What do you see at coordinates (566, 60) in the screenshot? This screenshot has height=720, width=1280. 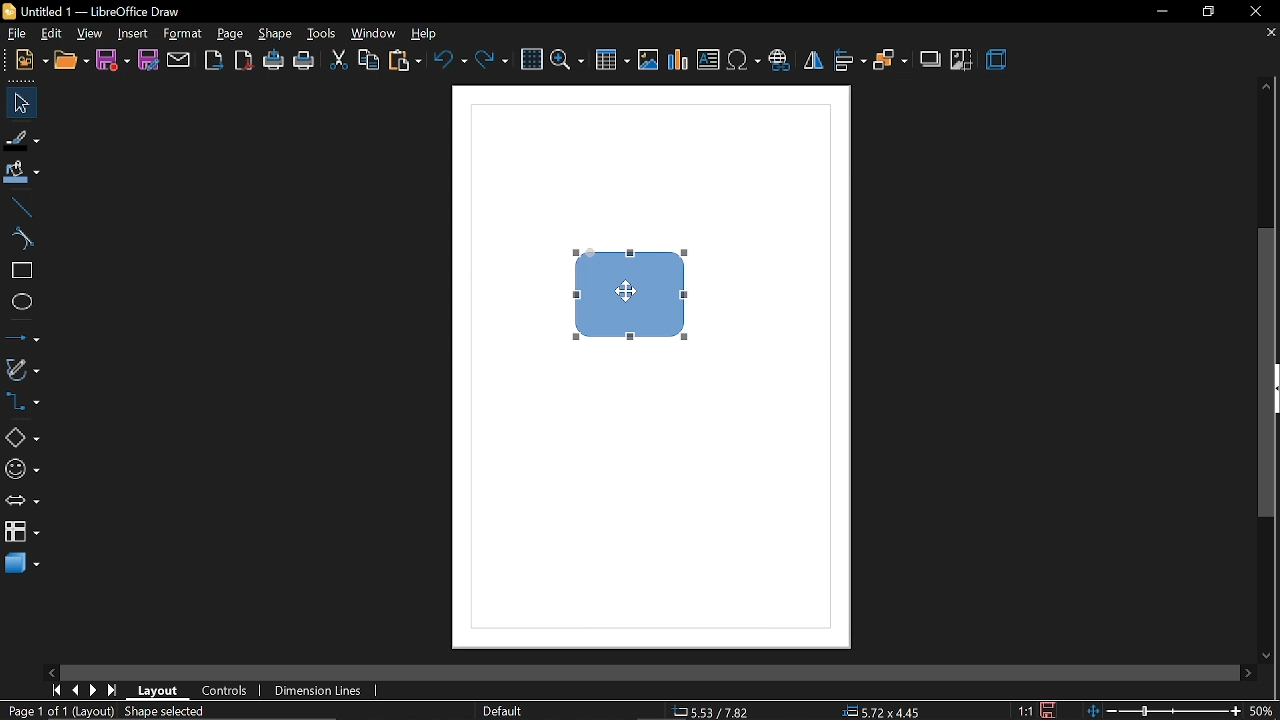 I see `zoom` at bounding box center [566, 60].